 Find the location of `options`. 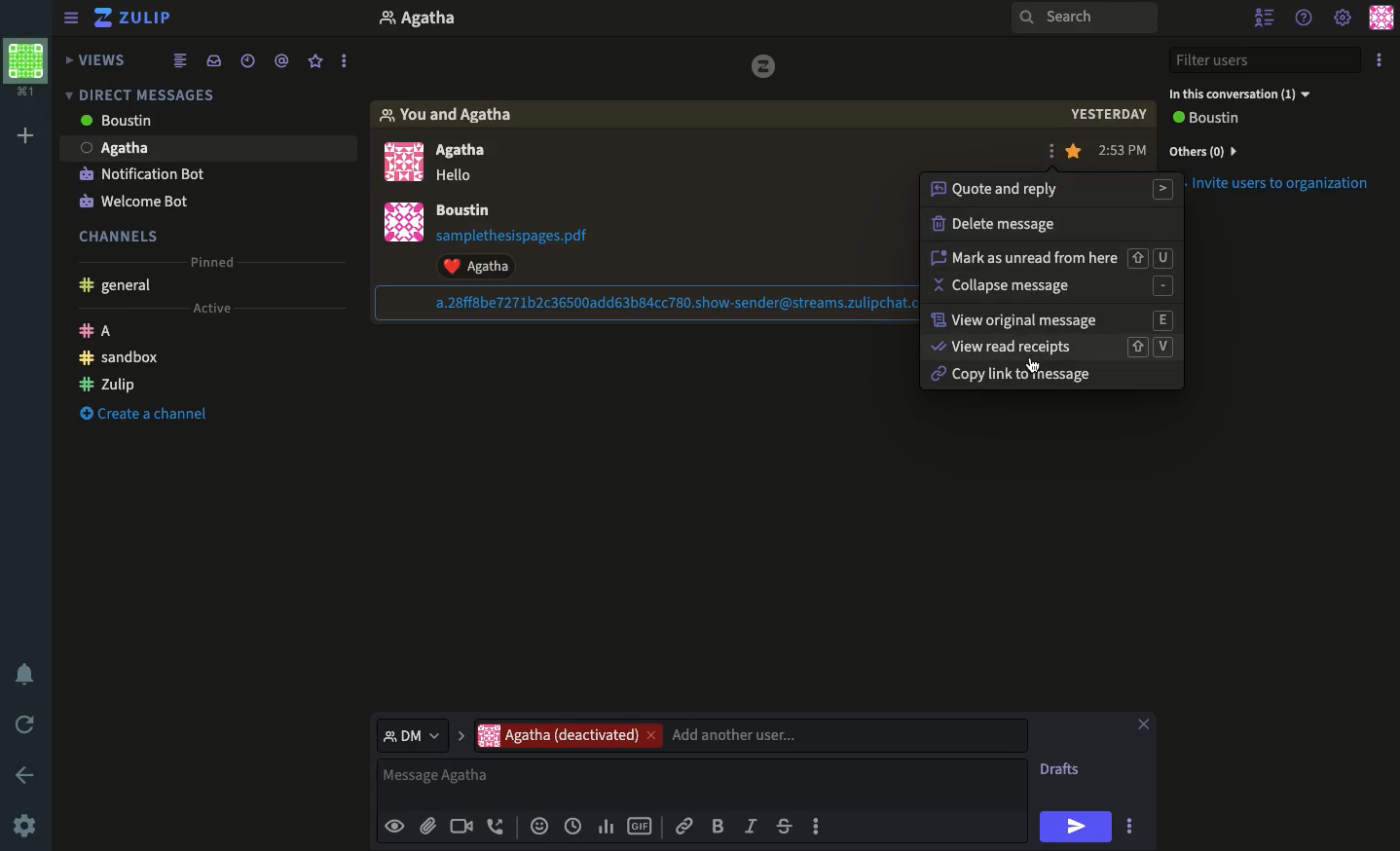

options is located at coordinates (1132, 829).